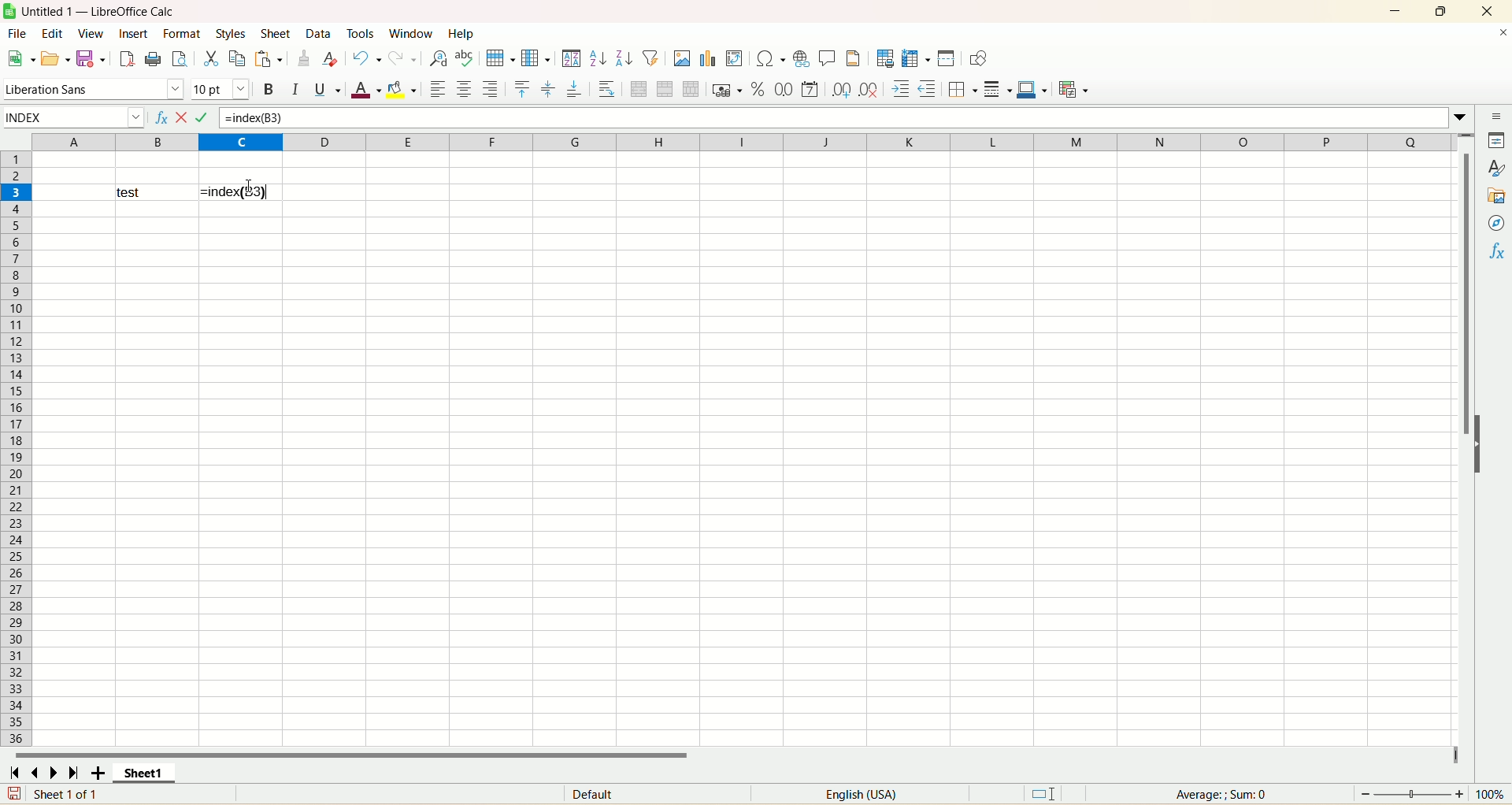 This screenshot has width=1512, height=805. What do you see at coordinates (745, 474) in the screenshot?
I see `workbook` at bounding box center [745, 474].